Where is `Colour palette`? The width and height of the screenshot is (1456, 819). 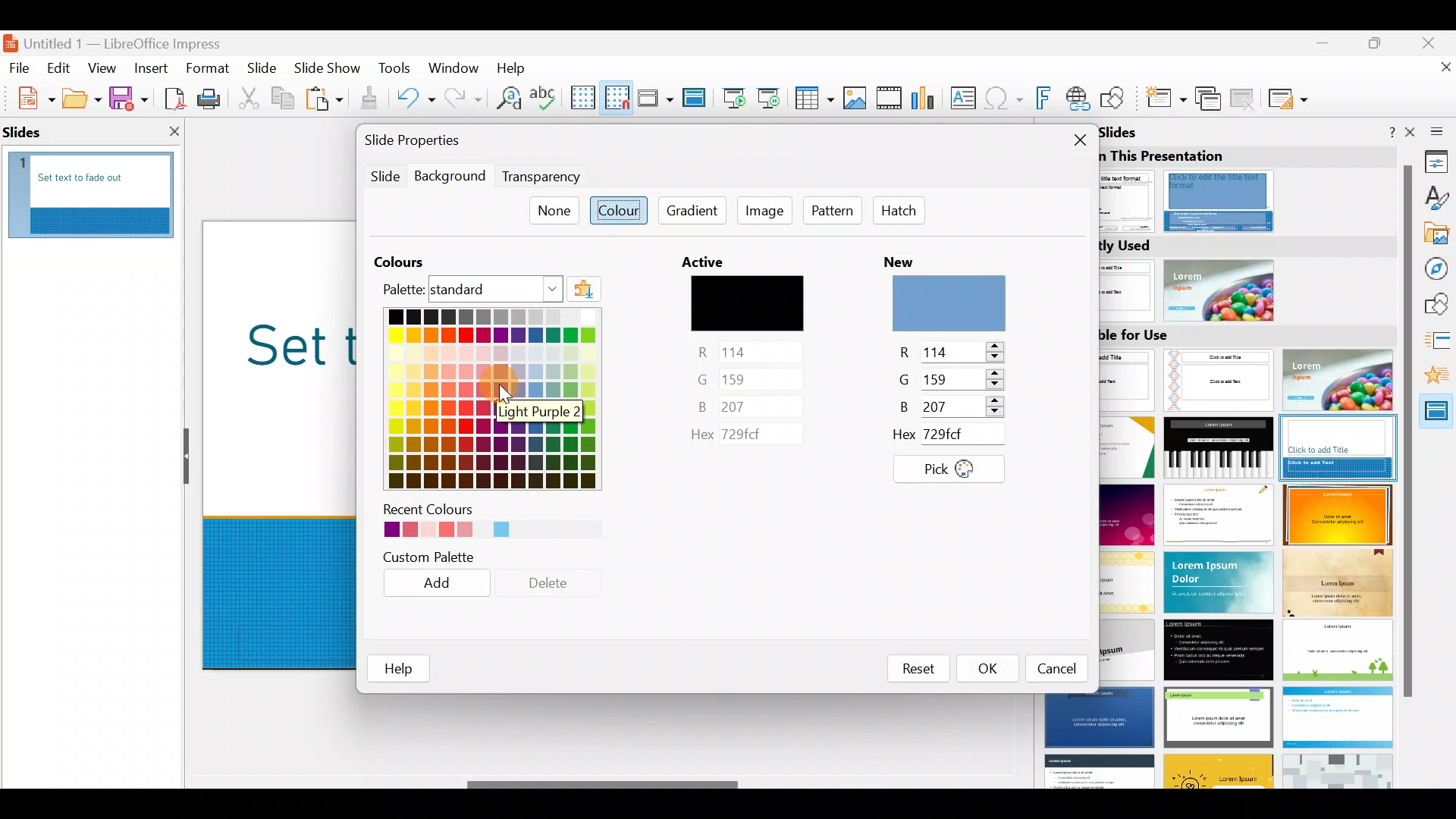
Colour palette is located at coordinates (484, 368).